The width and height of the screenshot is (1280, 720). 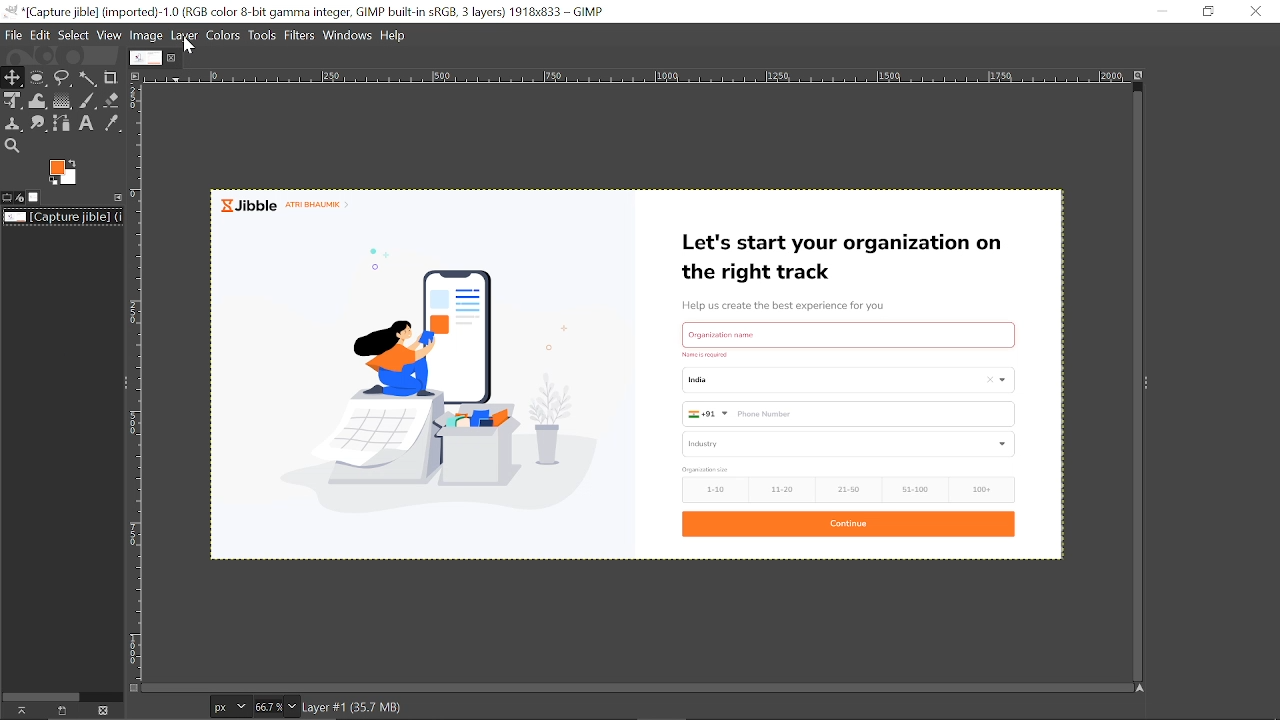 I want to click on Help, so click(x=396, y=34).